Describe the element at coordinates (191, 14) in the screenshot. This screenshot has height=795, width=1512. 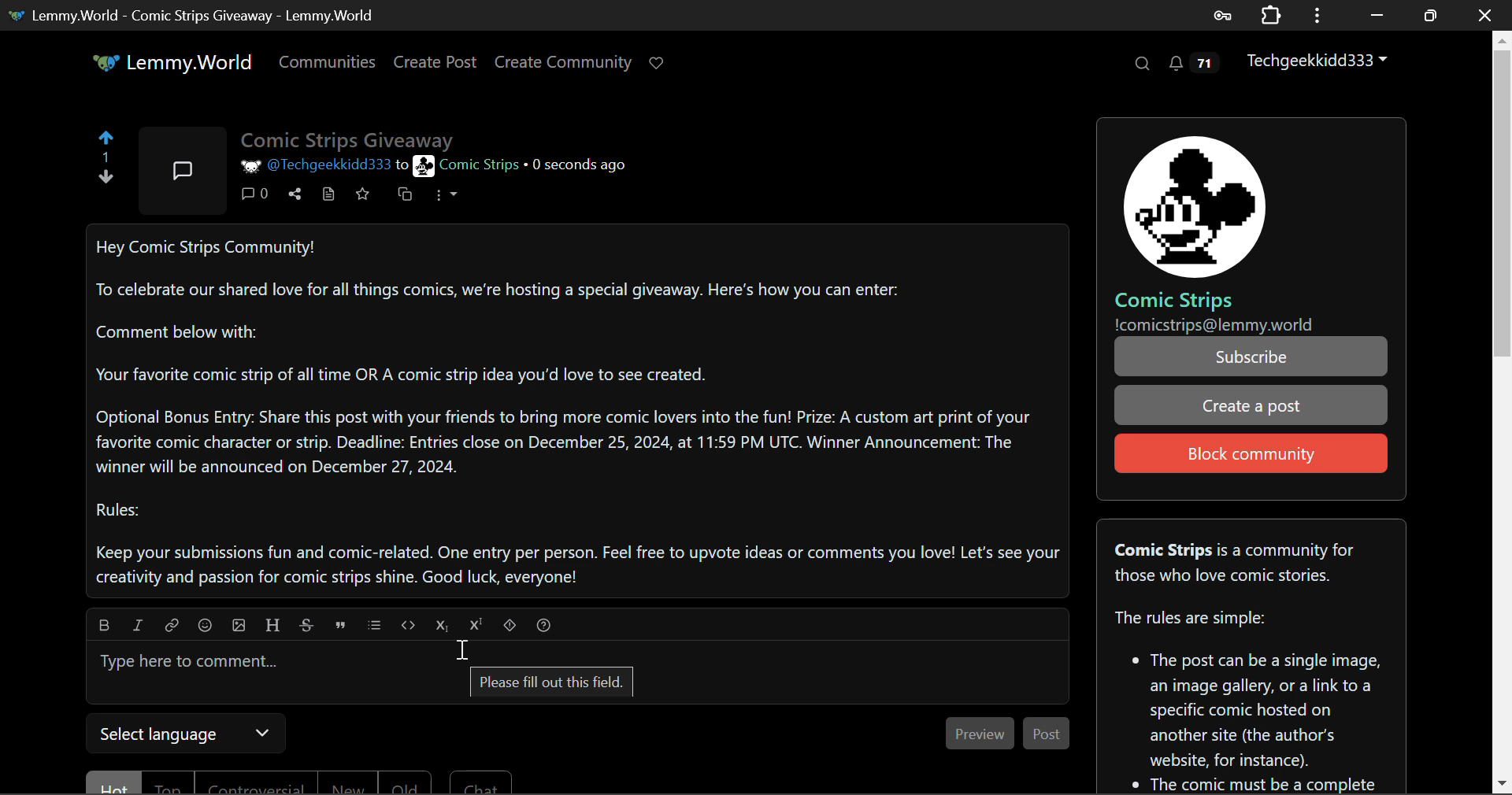
I see `Lemmy.World- Comic Strips Giveaway - Lemmy.World` at that location.